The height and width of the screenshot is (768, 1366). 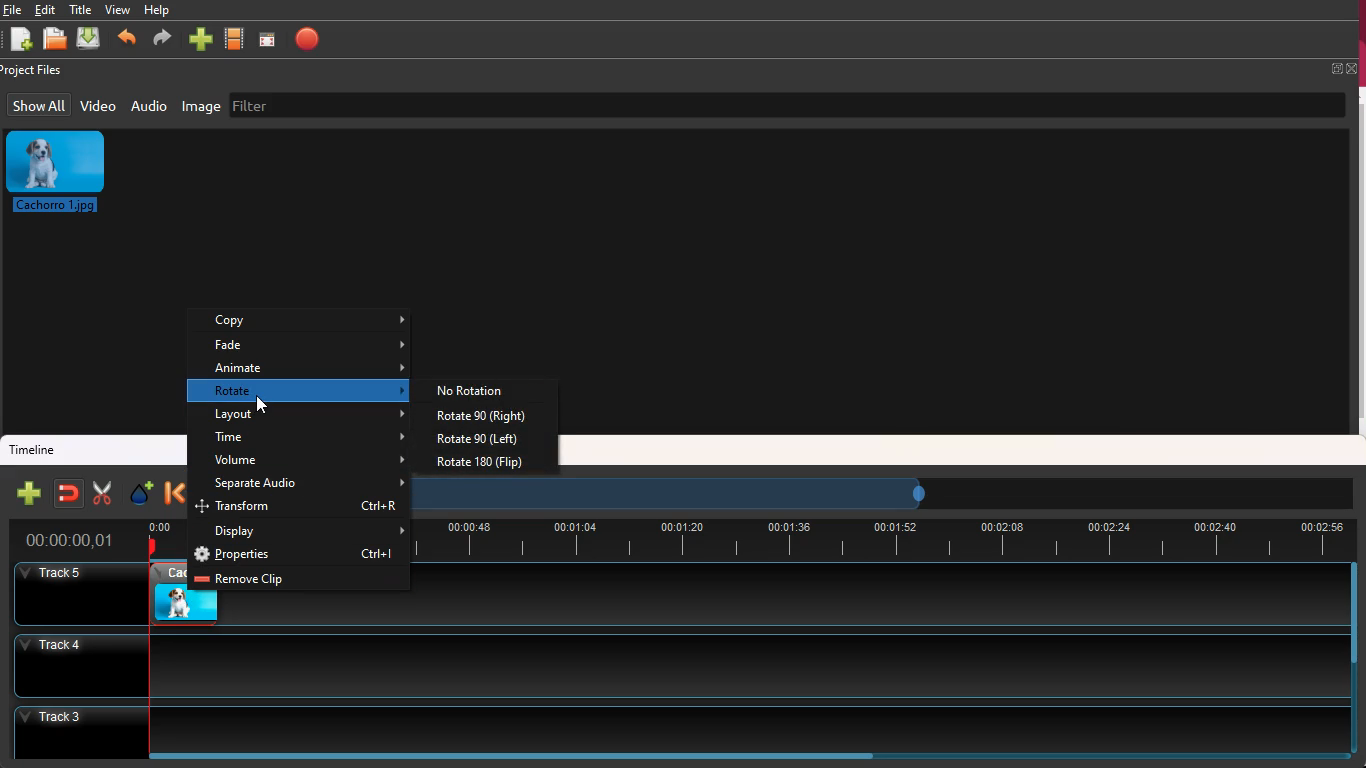 I want to click on filter, so click(x=274, y=108).